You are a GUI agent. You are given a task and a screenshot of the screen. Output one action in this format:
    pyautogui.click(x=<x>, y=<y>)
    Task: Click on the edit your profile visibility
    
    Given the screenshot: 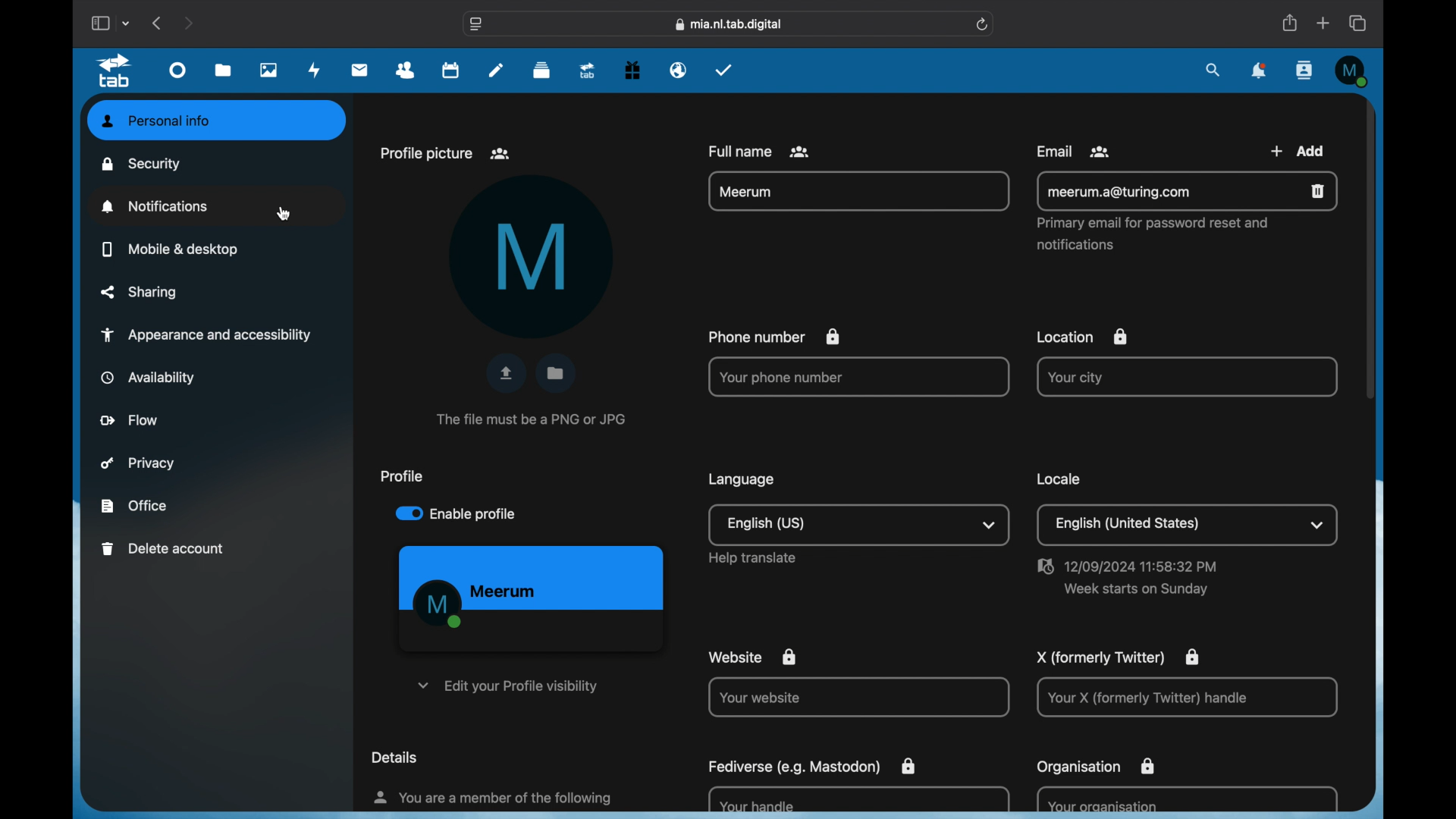 What is the action you would take?
    pyautogui.click(x=508, y=686)
    